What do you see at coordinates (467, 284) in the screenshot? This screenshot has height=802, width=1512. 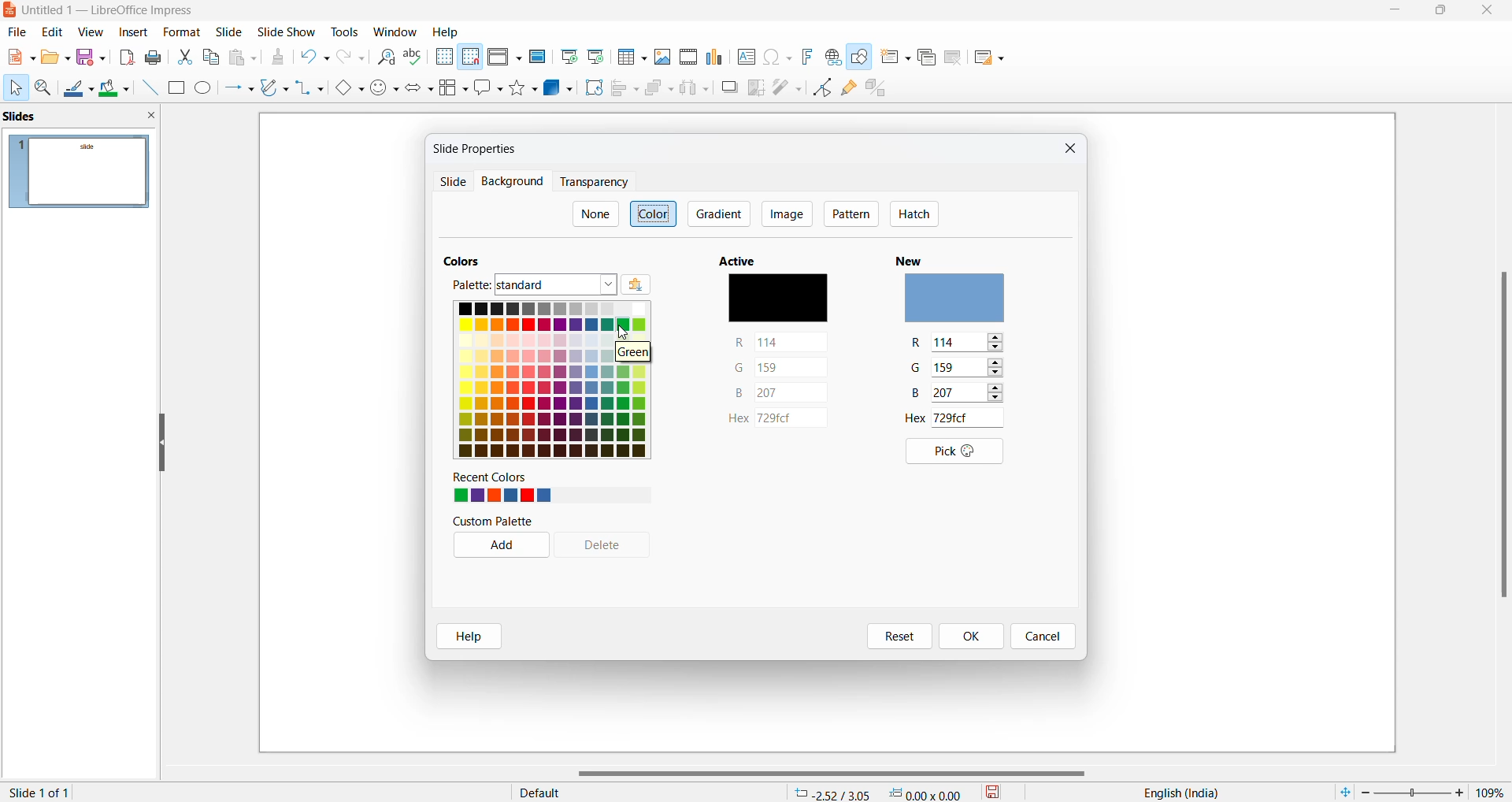 I see `palette ` at bounding box center [467, 284].